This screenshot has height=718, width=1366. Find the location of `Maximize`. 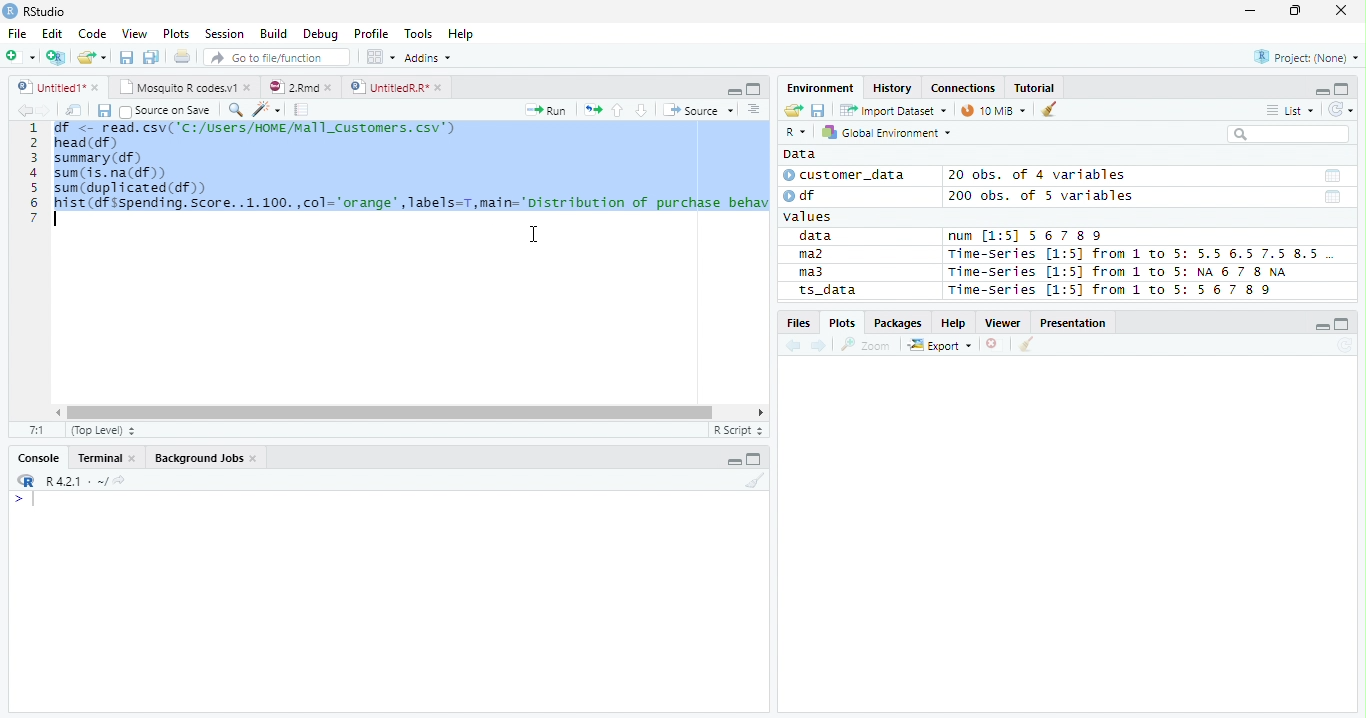

Maximize is located at coordinates (756, 460).